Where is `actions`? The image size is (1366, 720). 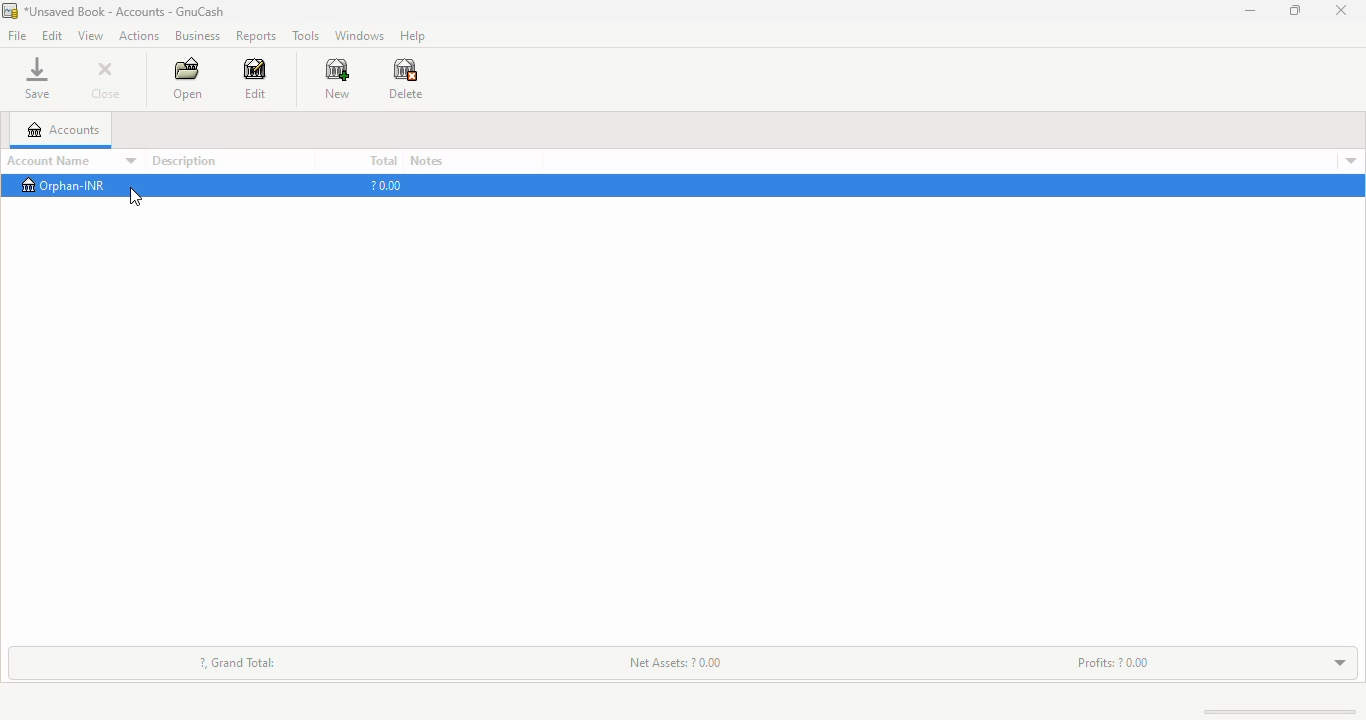
actions is located at coordinates (140, 36).